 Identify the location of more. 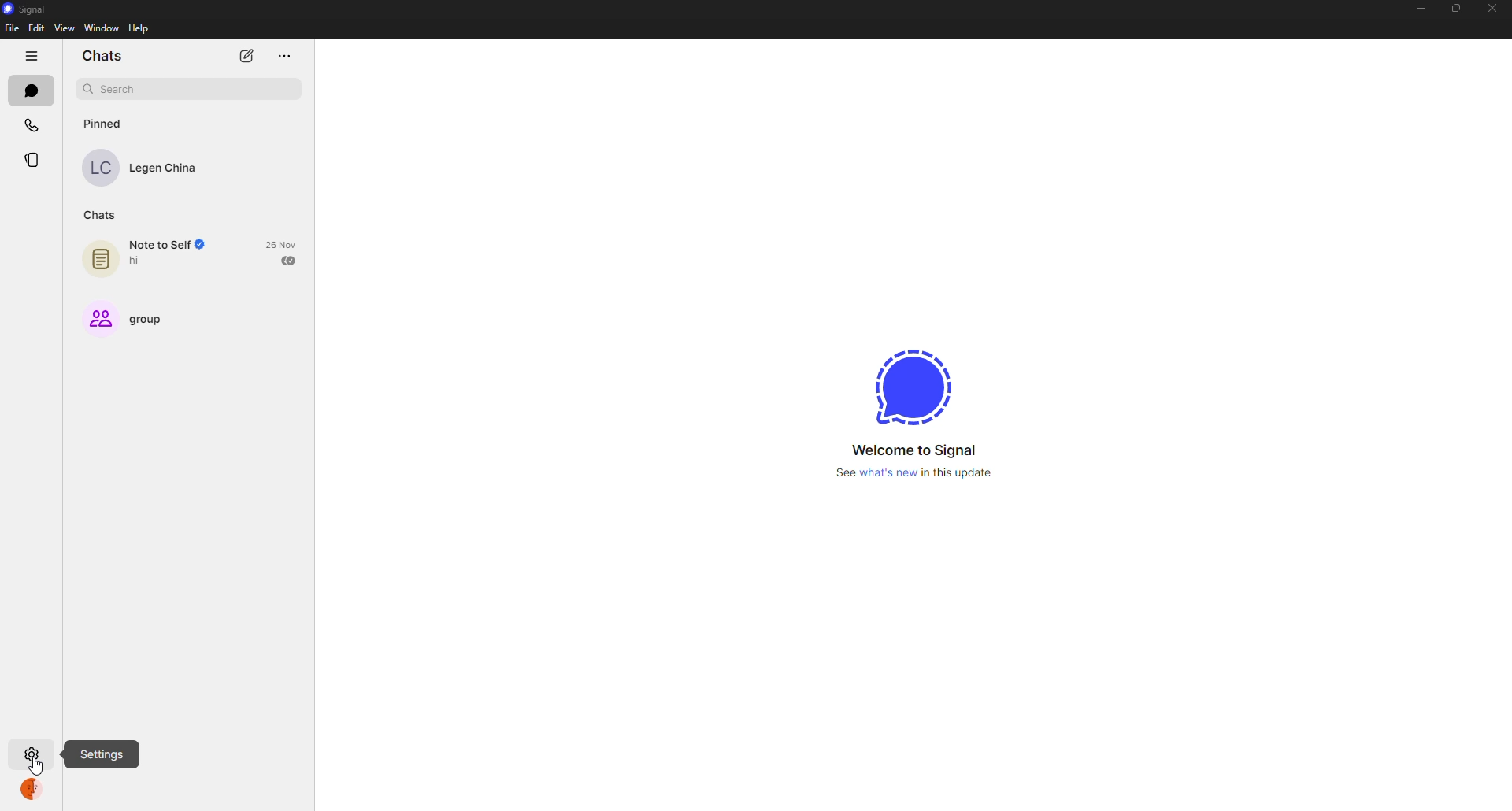
(283, 55).